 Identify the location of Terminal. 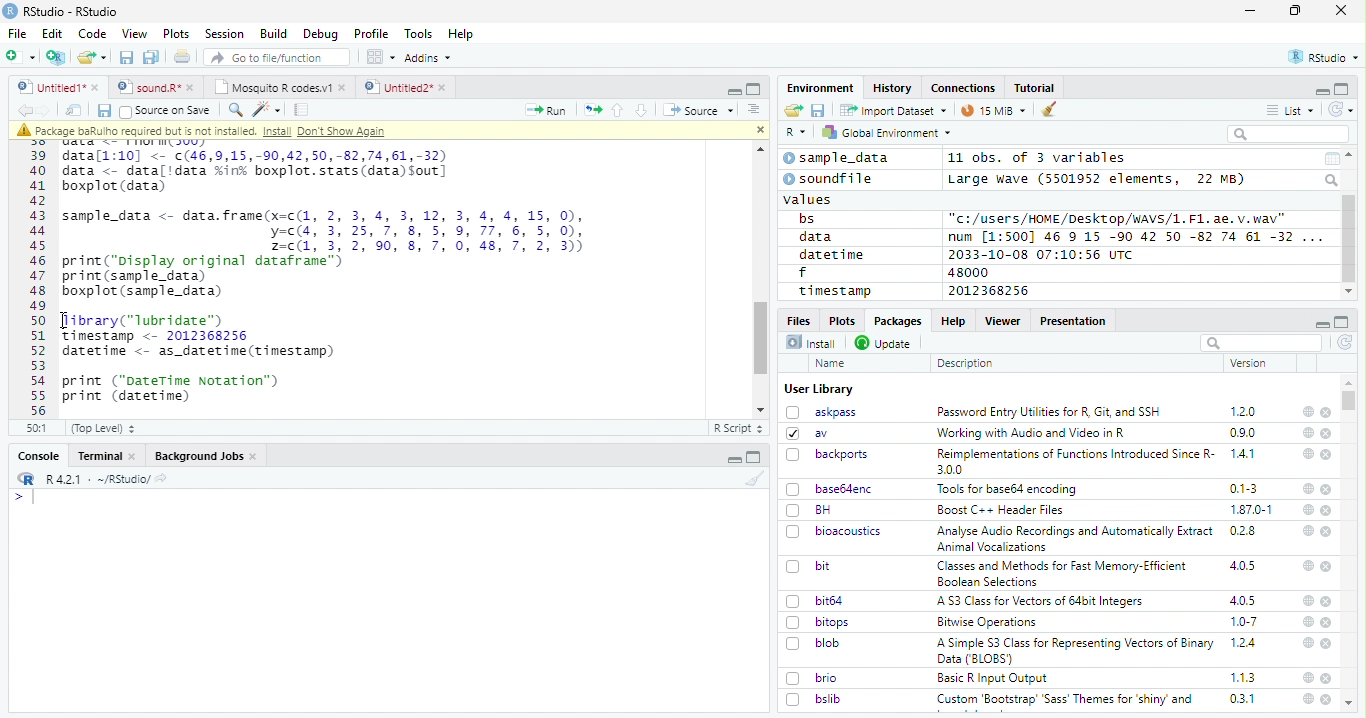
(106, 456).